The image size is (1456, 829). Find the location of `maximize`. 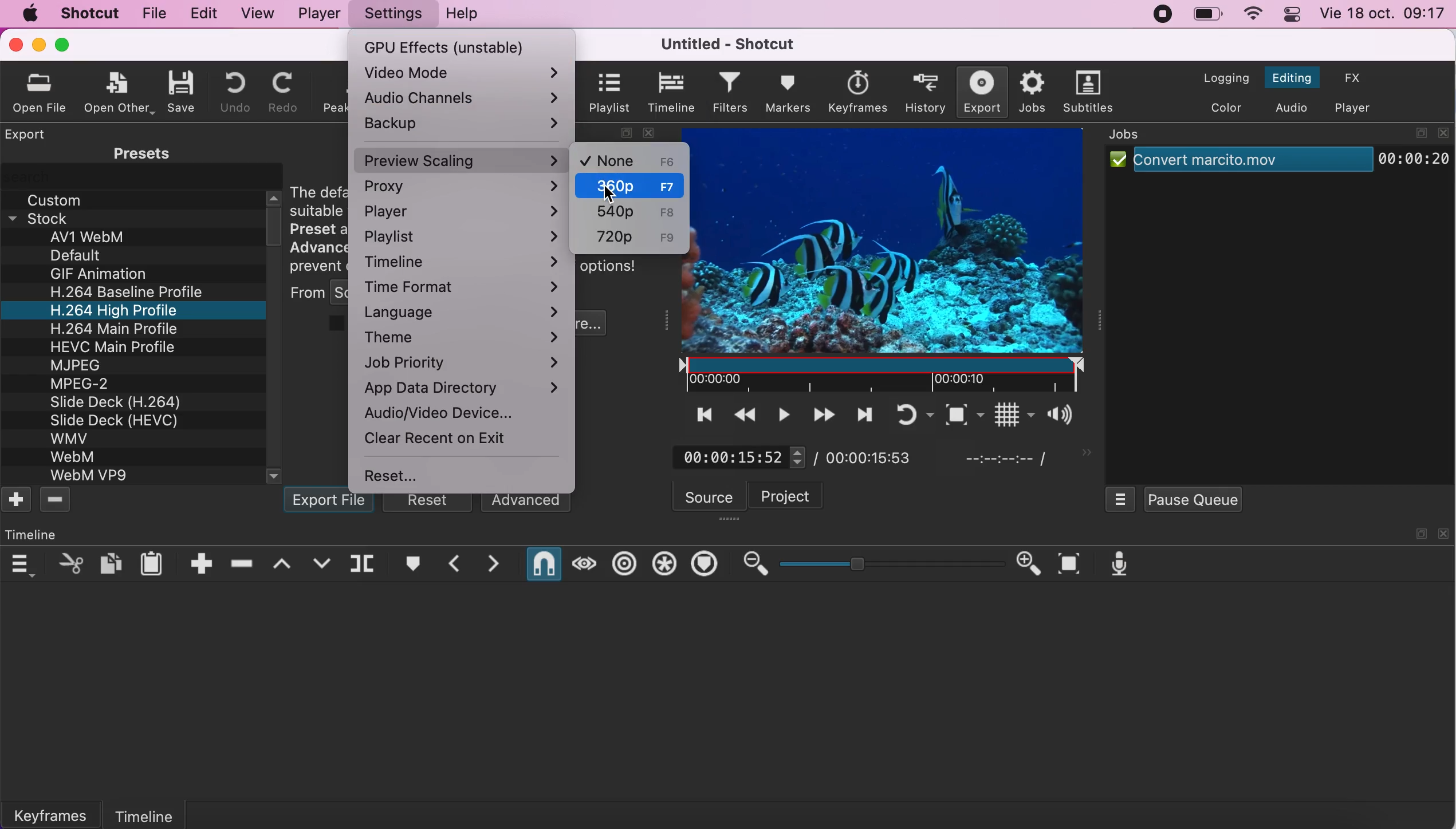

maximize is located at coordinates (65, 45).